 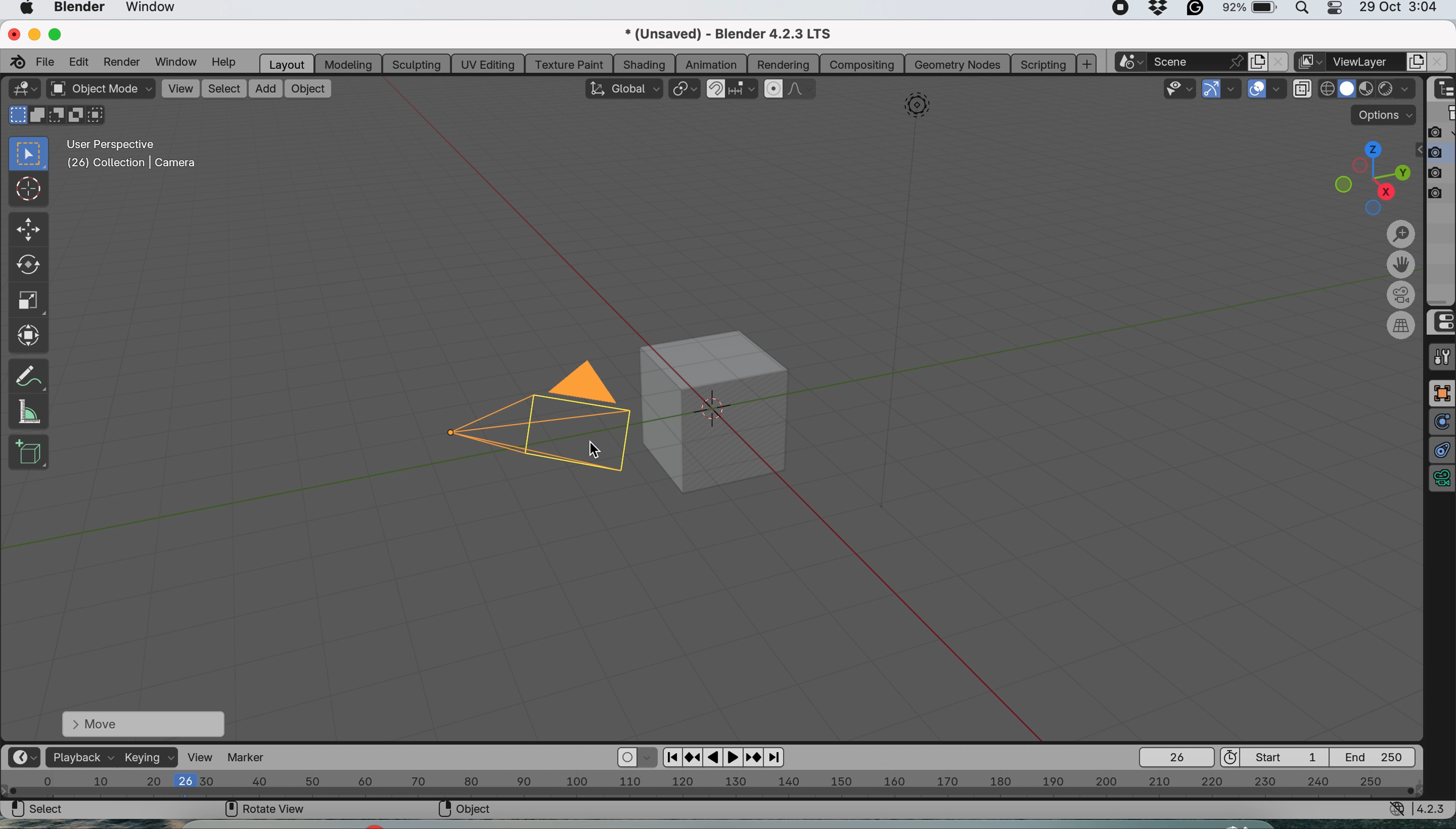 I want to click on network settings, so click(x=1397, y=811).